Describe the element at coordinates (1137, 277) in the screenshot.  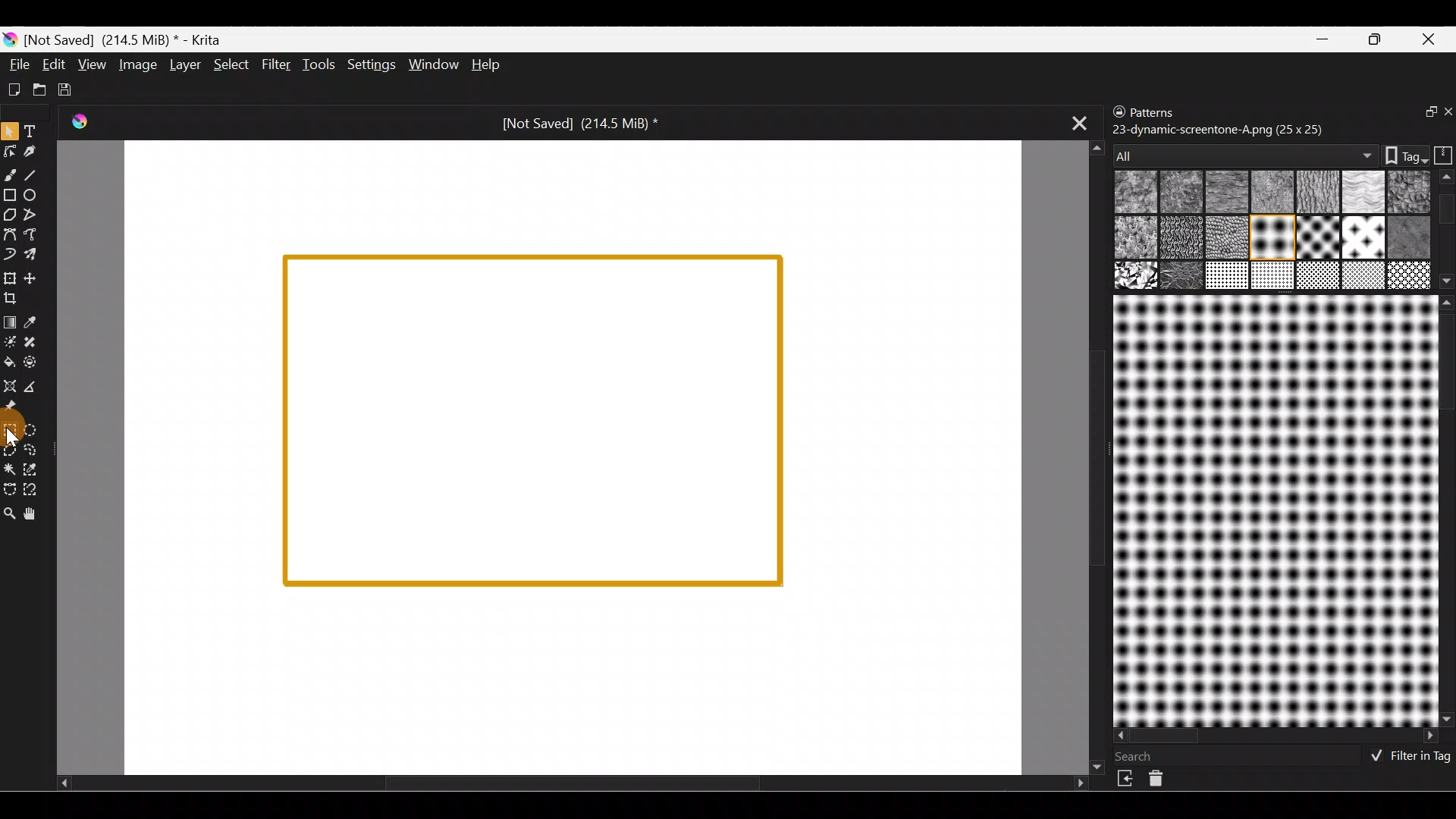
I see `14 Texture_rock.png` at that location.